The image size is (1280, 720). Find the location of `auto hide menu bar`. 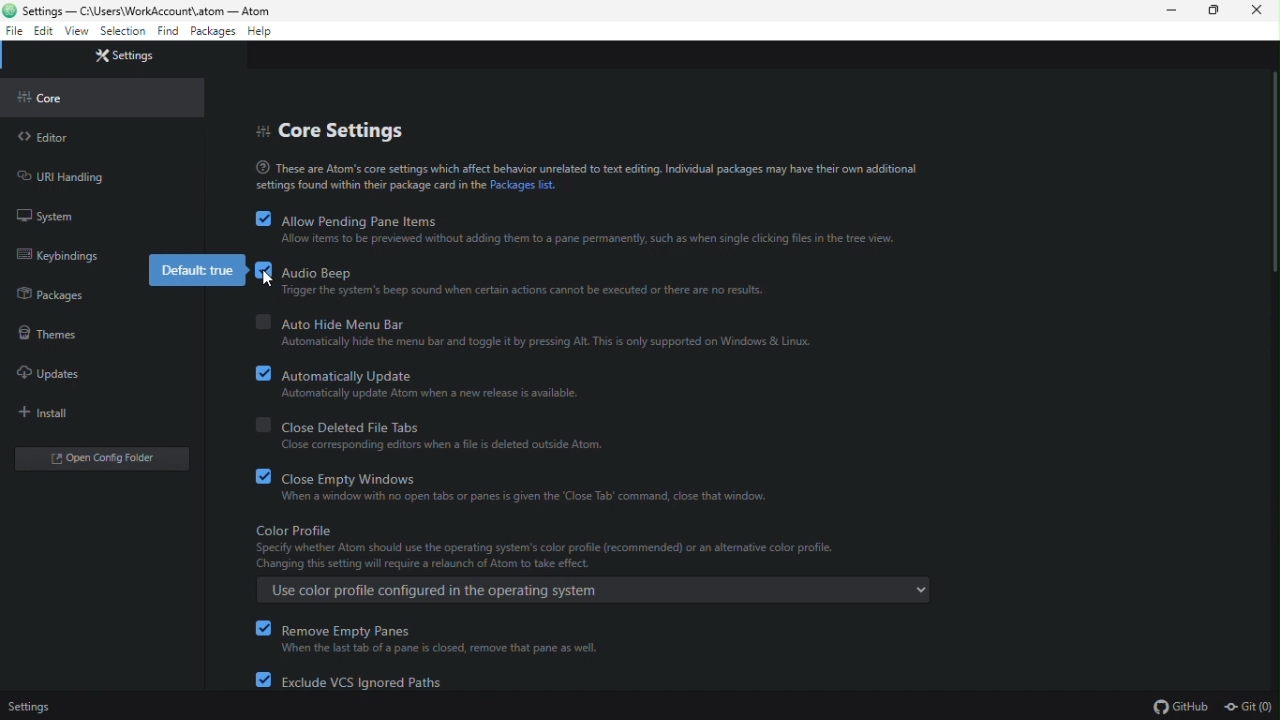

auto hide menu bar is located at coordinates (391, 322).